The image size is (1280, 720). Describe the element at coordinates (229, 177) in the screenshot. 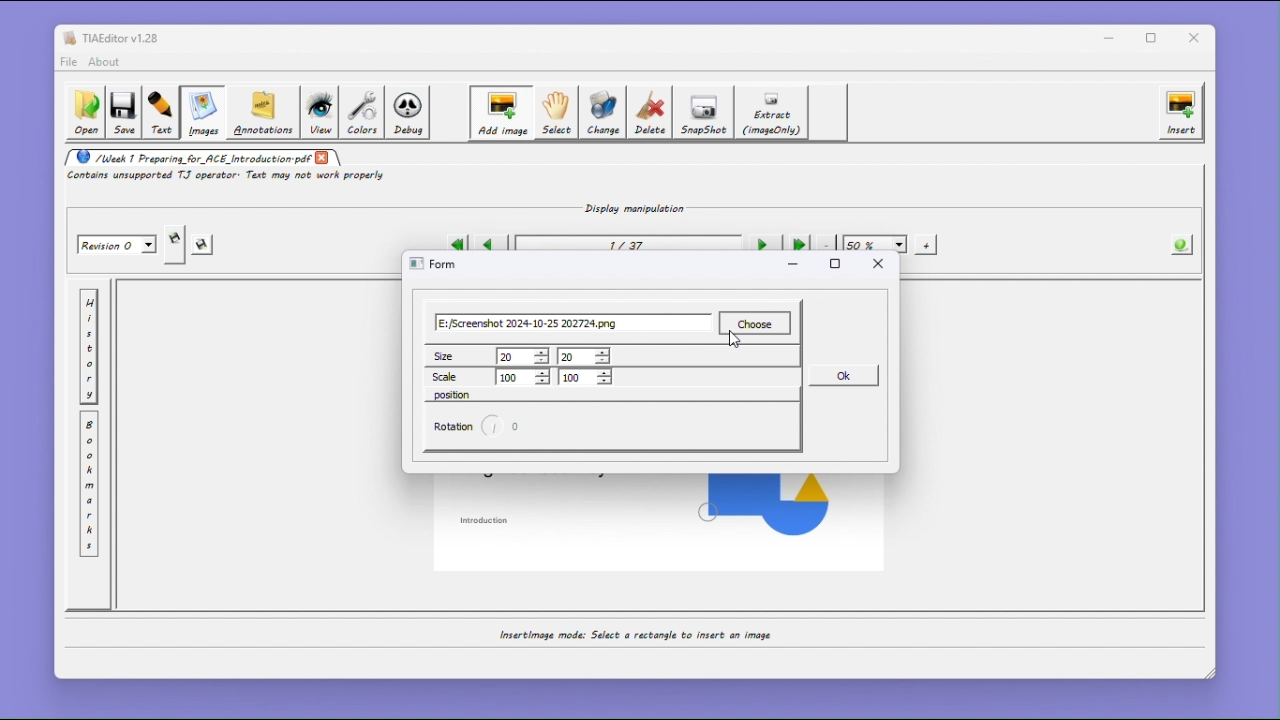

I see `Contains unsupported TJ operator. Text may not work properly` at that location.